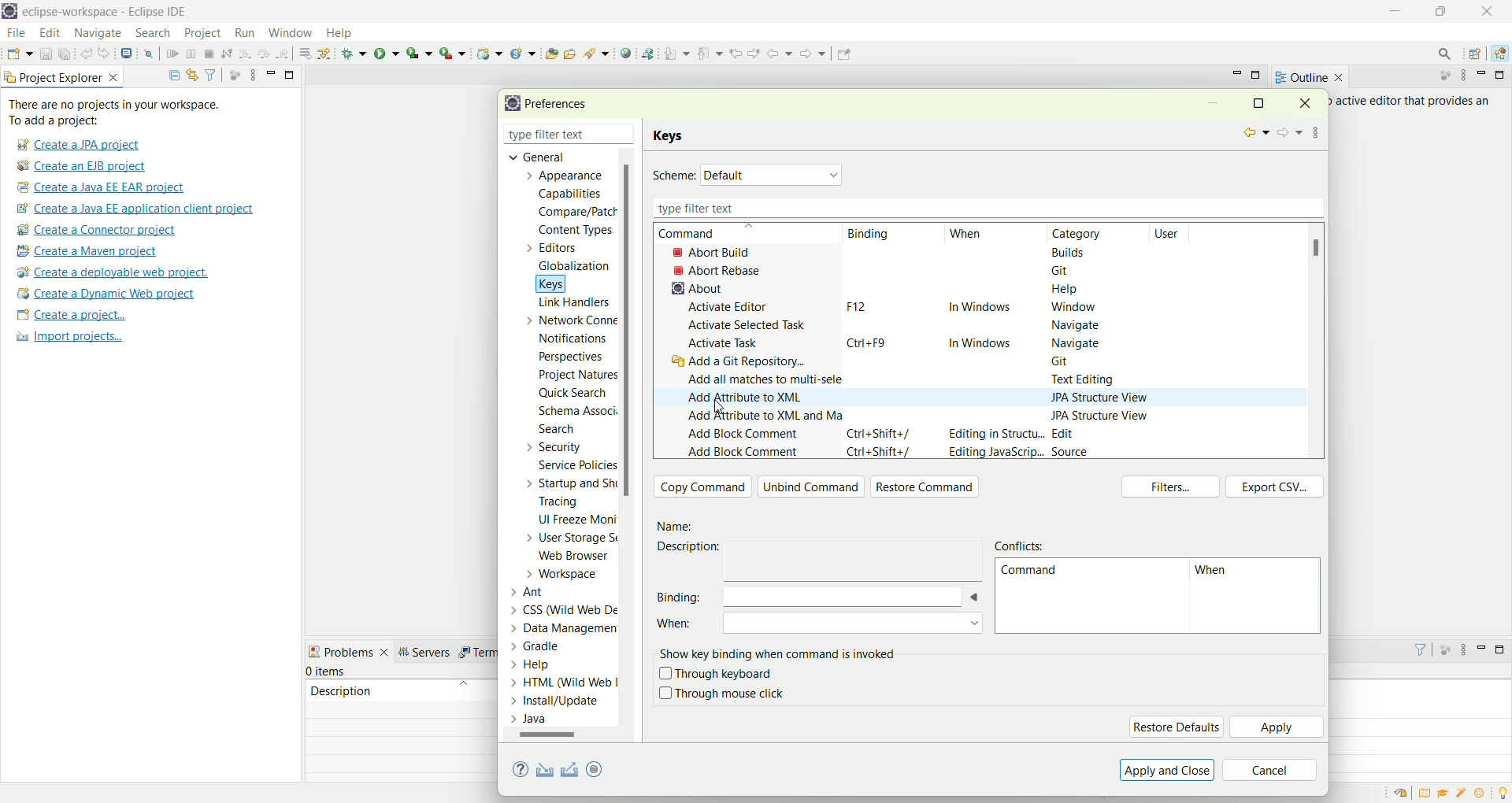  What do you see at coordinates (576, 211) in the screenshot?
I see `compare` at bounding box center [576, 211].